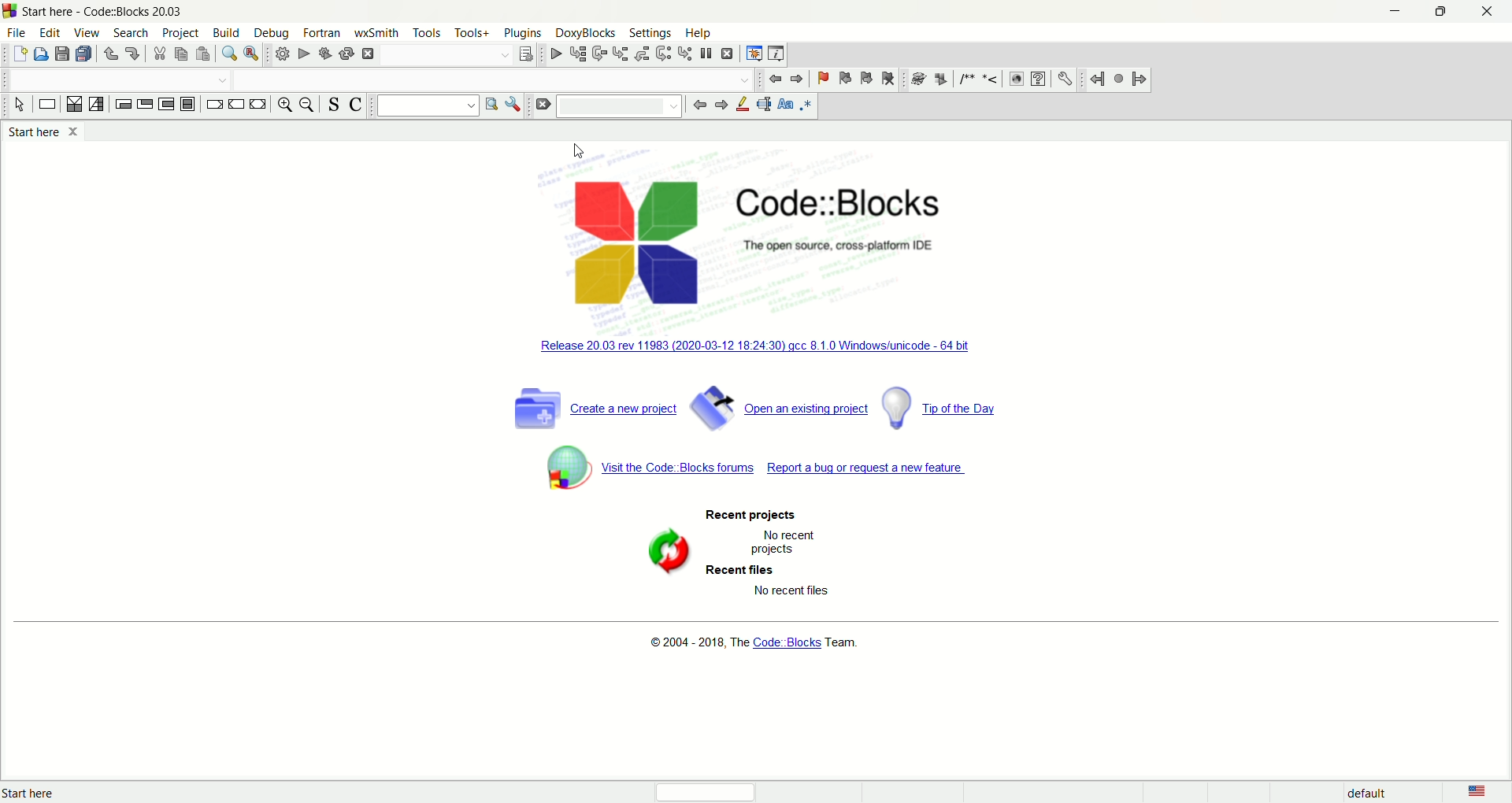 The image size is (1512, 803). What do you see at coordinates (578, 153) in the screenshot?
I see `cursor` at bounding box center [578, 153].